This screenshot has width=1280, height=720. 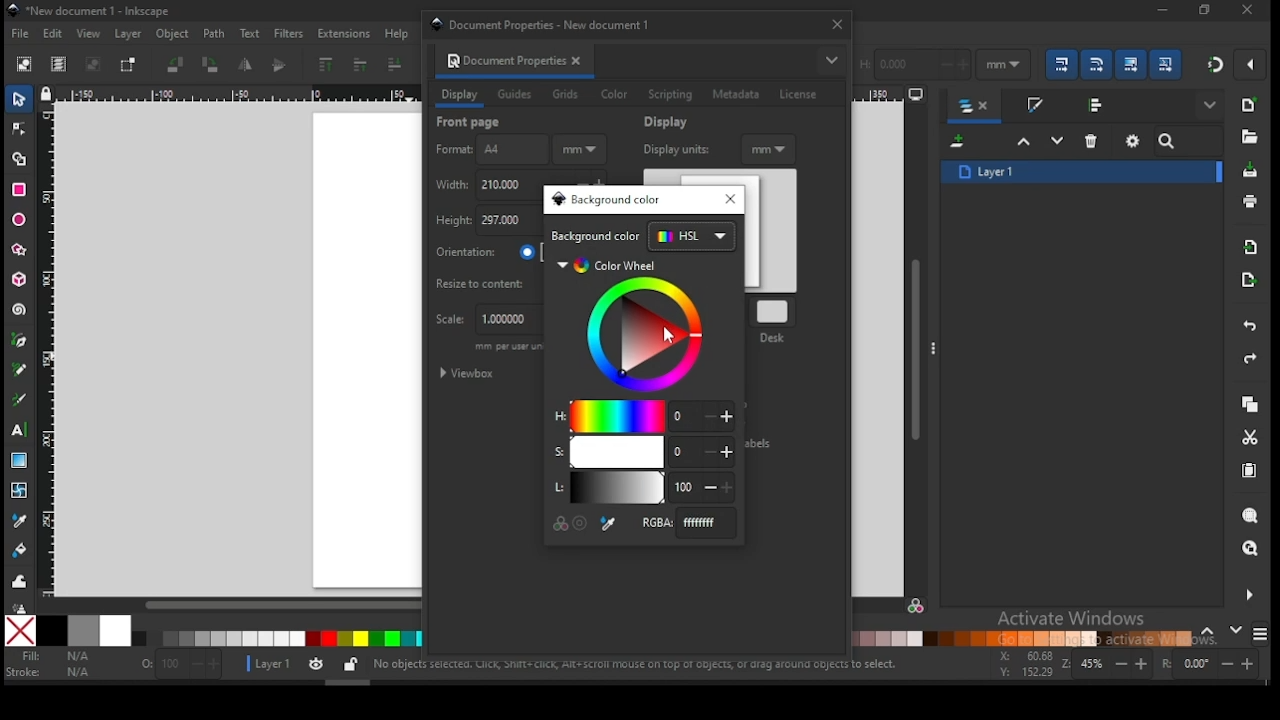 What do you see at coordinates (1058, 64) in the screenshot?
I see `when scaling objects, scale the stroke width in same proportion` at bounding box center [1058, 64].